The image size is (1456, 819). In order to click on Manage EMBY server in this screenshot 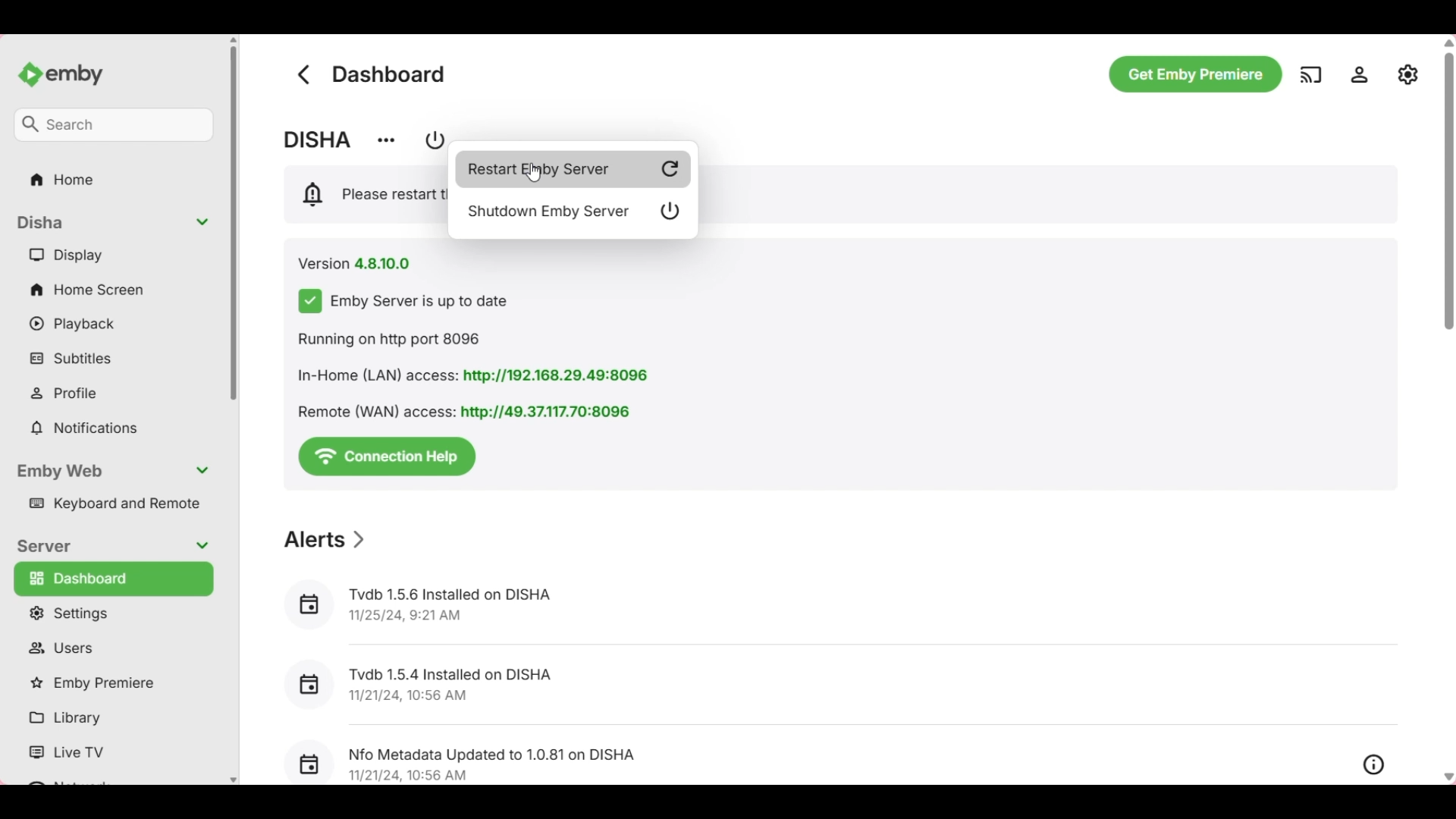, I will do `click(1408, 74)`.